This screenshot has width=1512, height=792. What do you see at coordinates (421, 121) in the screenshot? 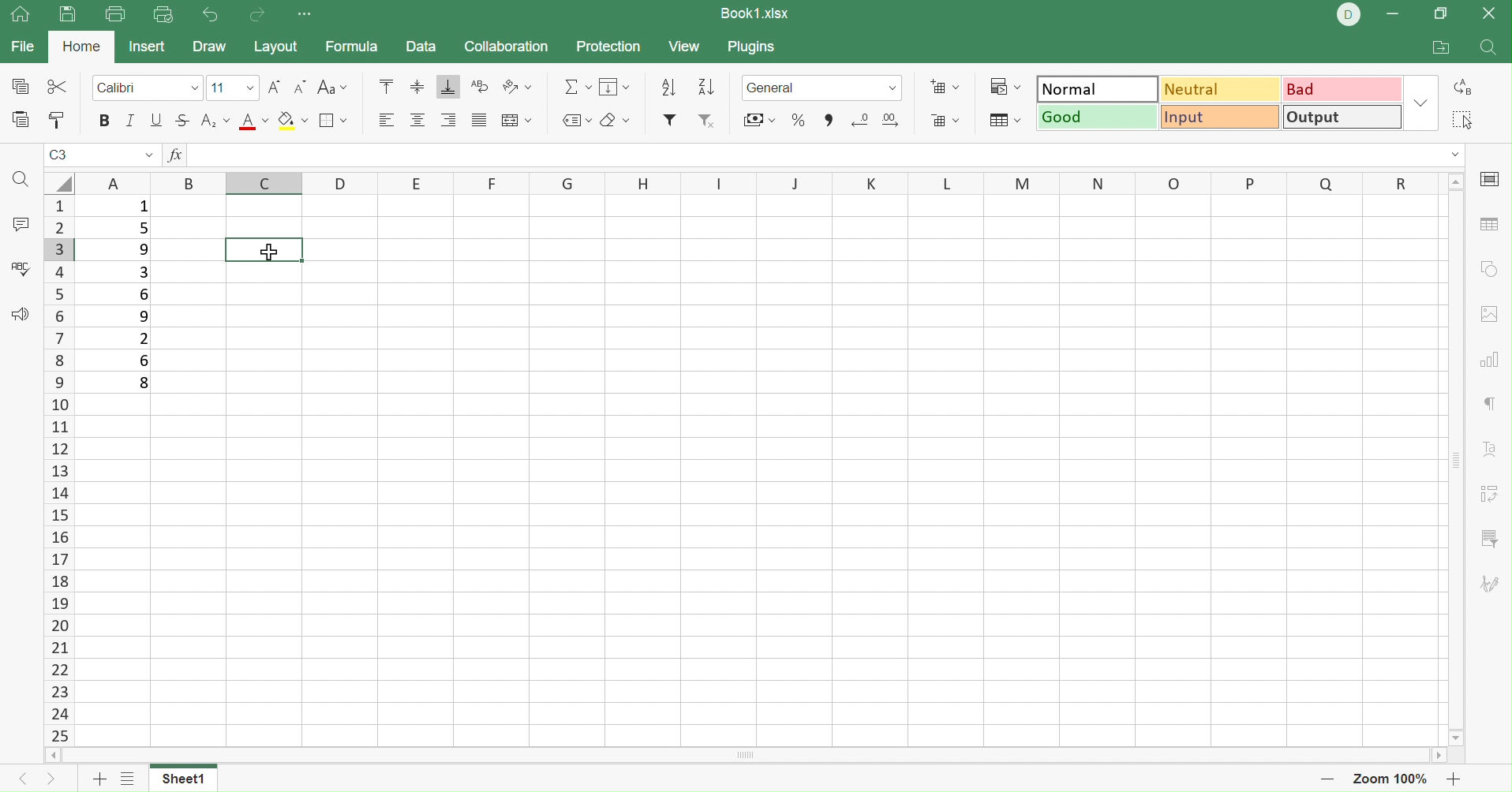
I see `Align middle` at bounding box center [421, 121].